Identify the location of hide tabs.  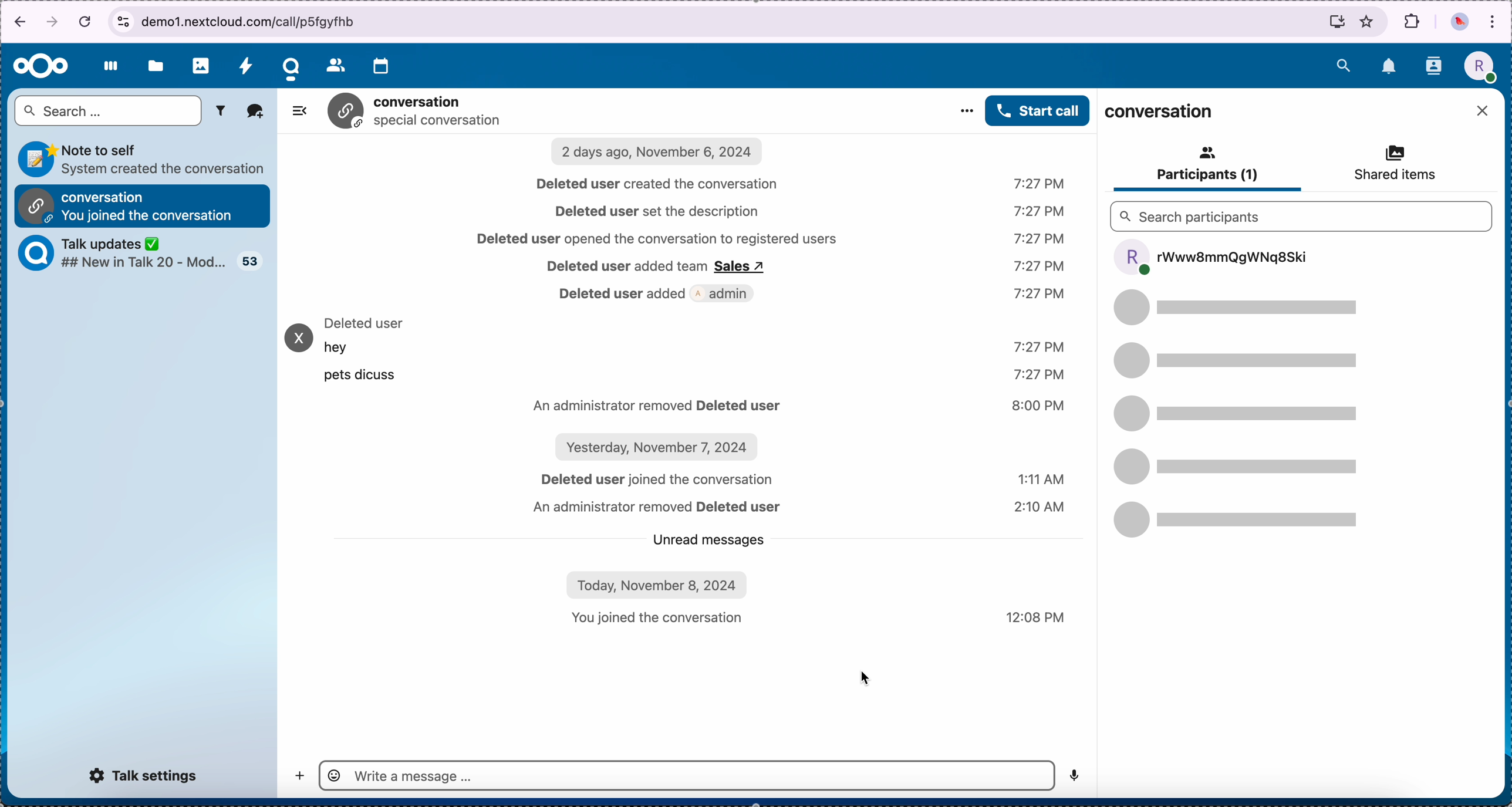
(301, 112).